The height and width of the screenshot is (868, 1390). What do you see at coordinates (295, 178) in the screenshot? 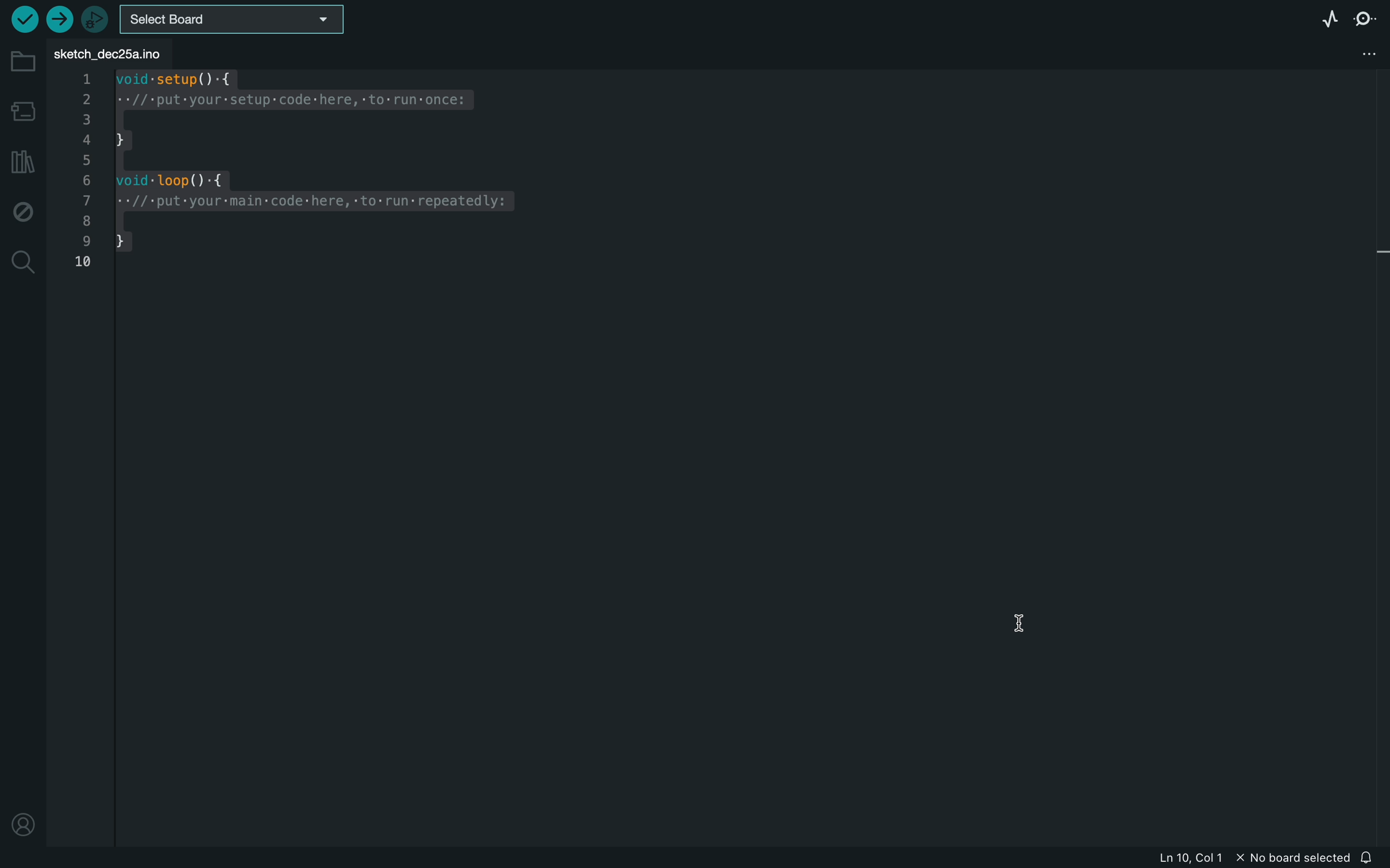
I see `code` at bounding box center [295, 178].